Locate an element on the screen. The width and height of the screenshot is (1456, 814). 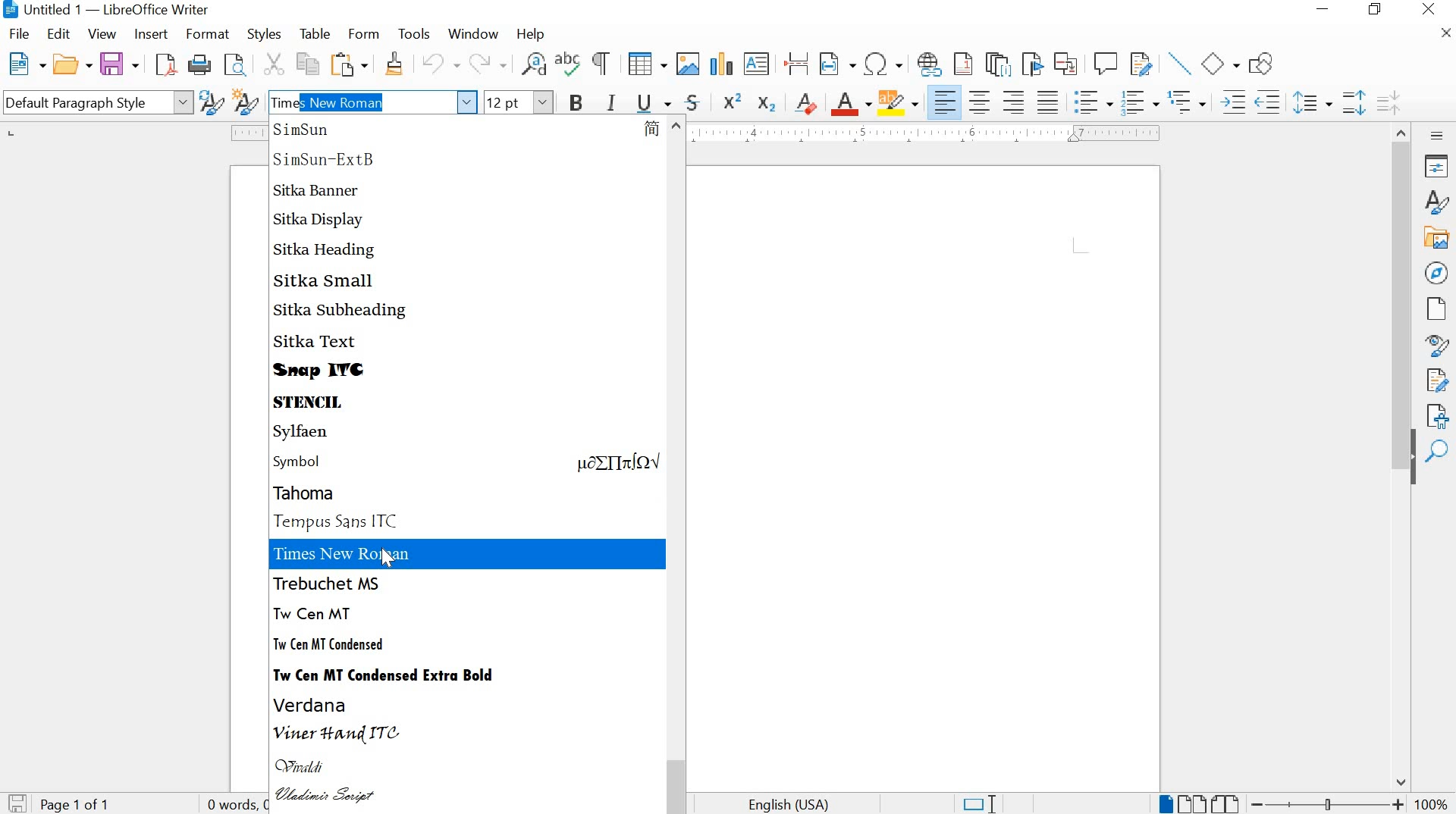
INSERT TEXT BOX is located at coordinates (757, 64).